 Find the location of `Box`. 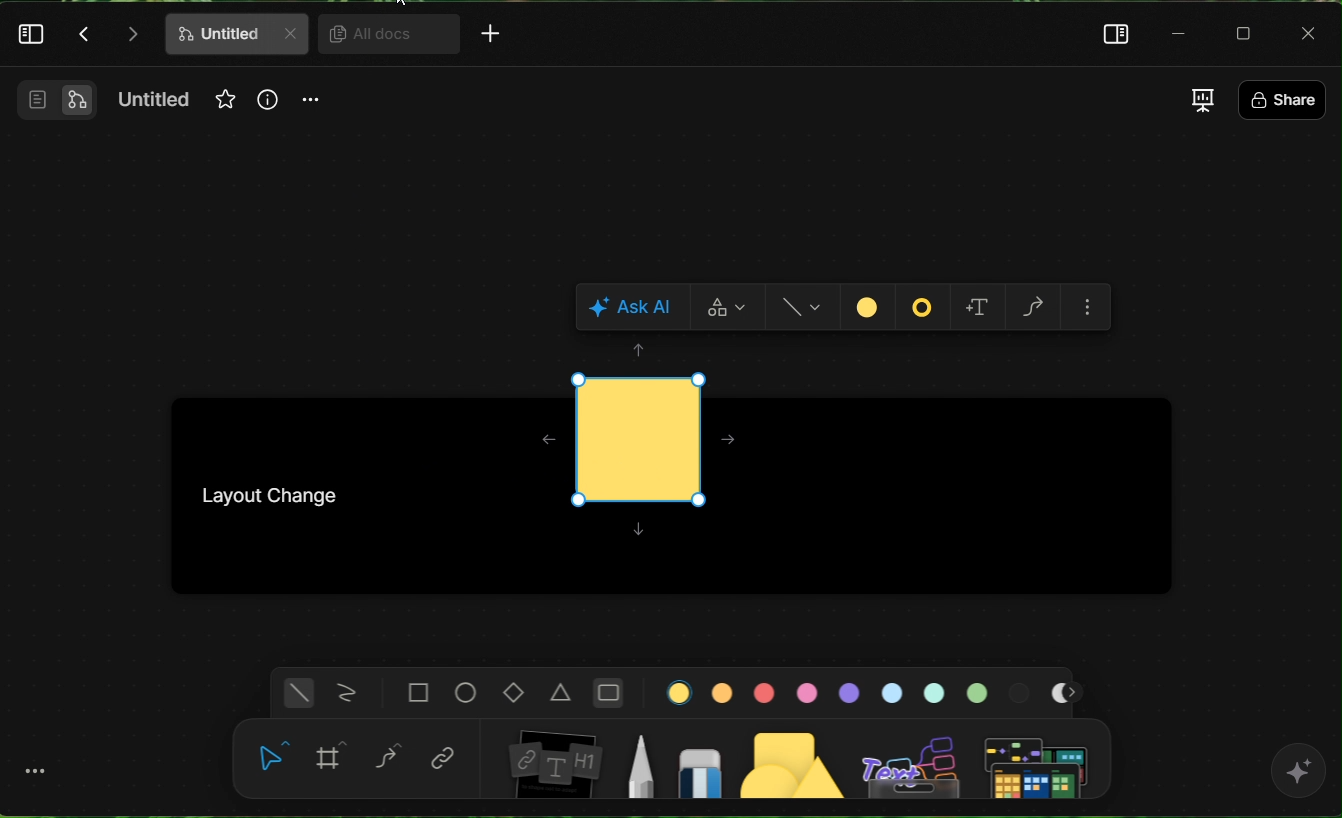

Box is located at coordinates (1249, 33).